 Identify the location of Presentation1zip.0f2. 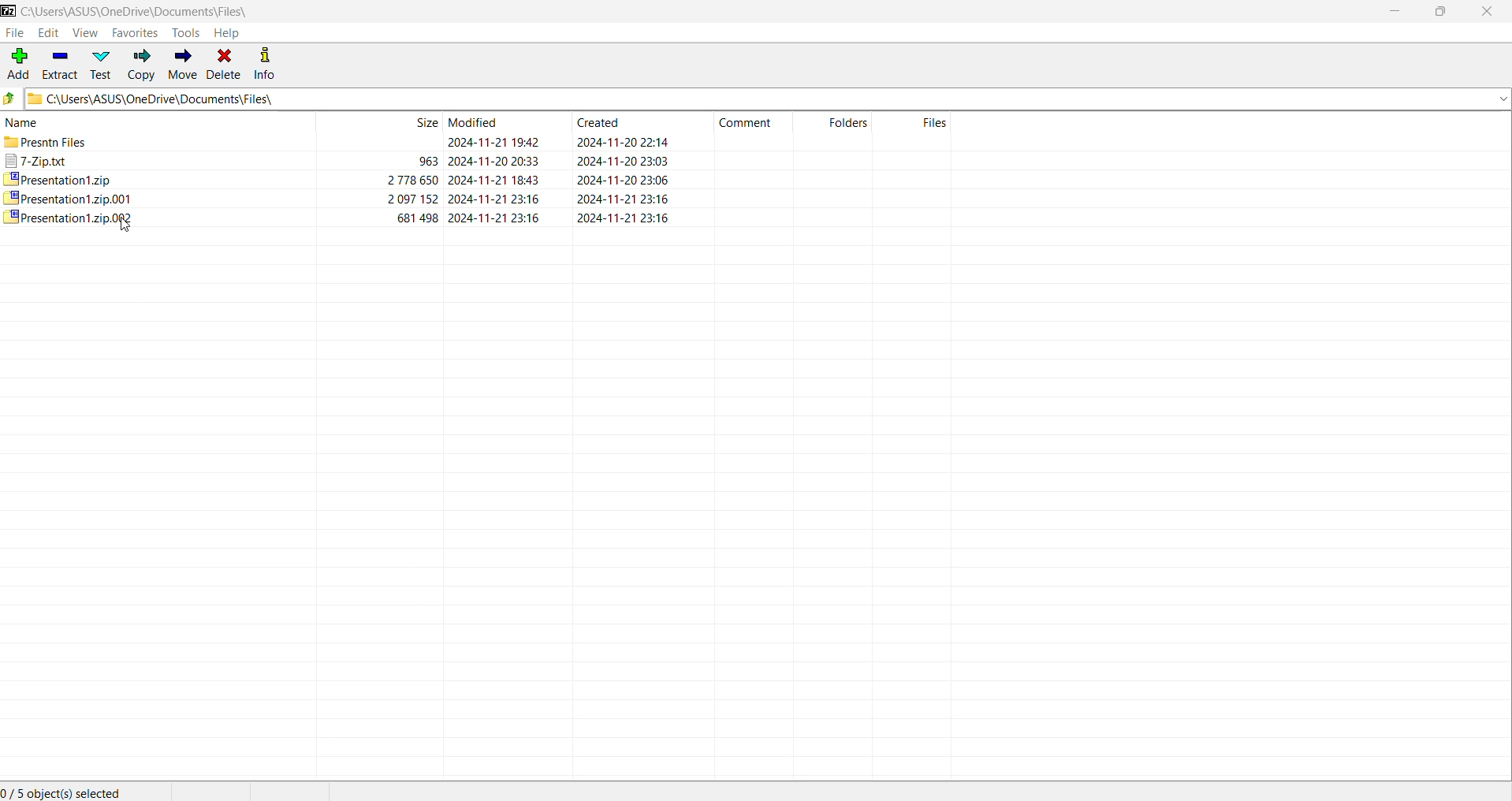
(74, 222).